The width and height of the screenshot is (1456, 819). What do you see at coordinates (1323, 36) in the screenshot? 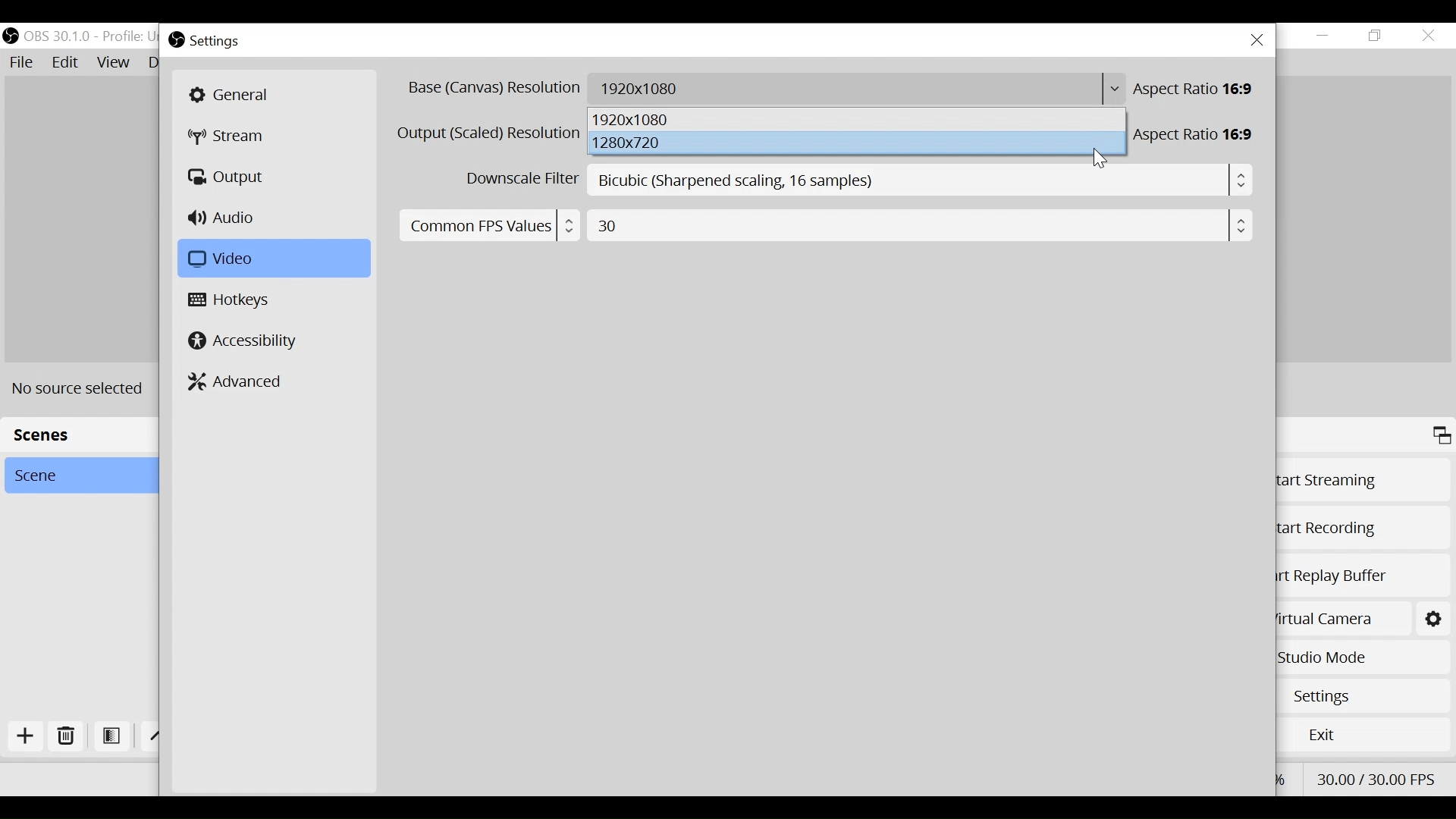
I see `minimize` at bounding box center [1323, 36].